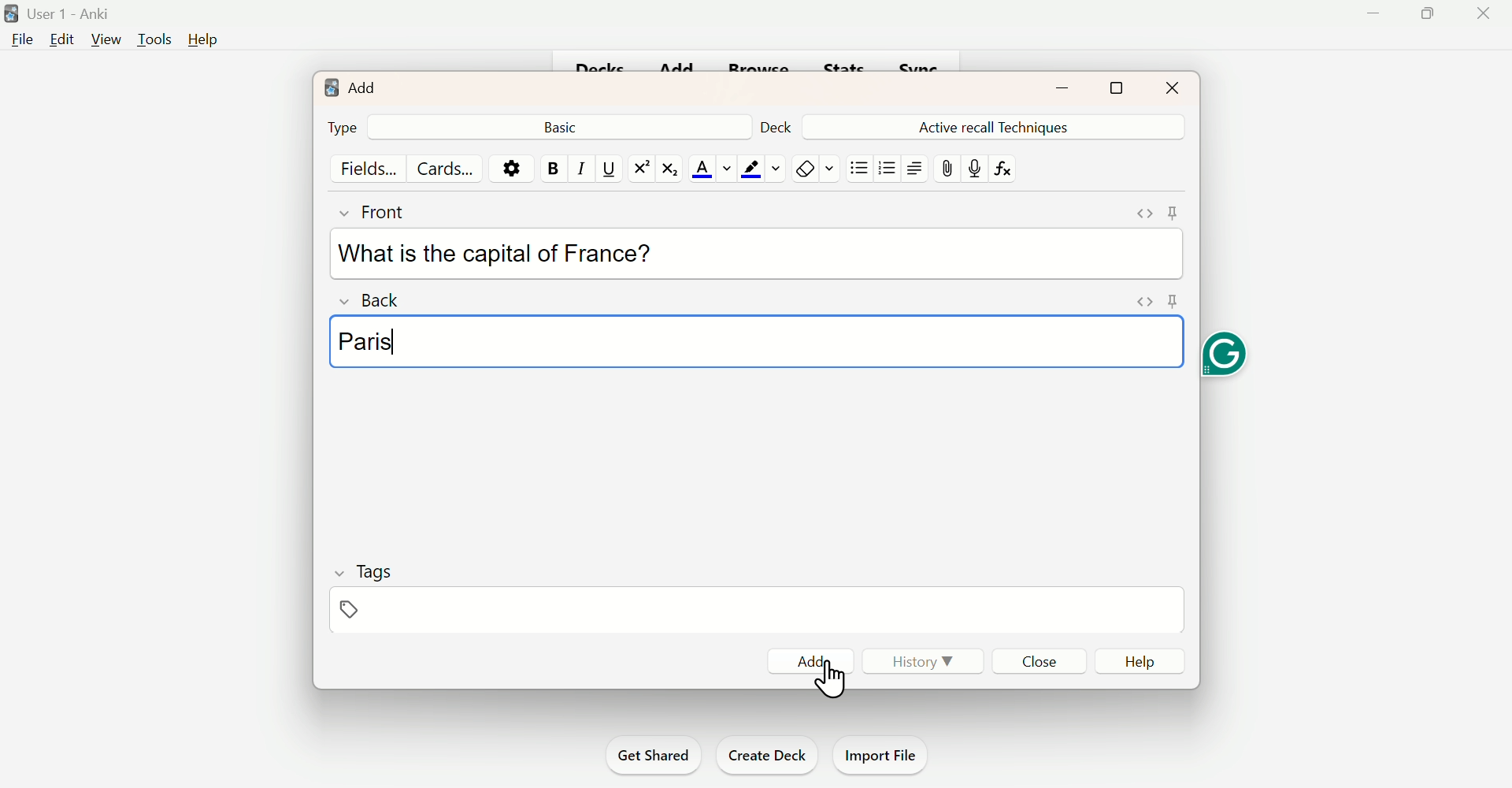 This screenshot has width=1512, height=788. What do you see at coordinates (913, 167) in the screenshot?
I see `Text Alignment` at bounding box center [913, 167].